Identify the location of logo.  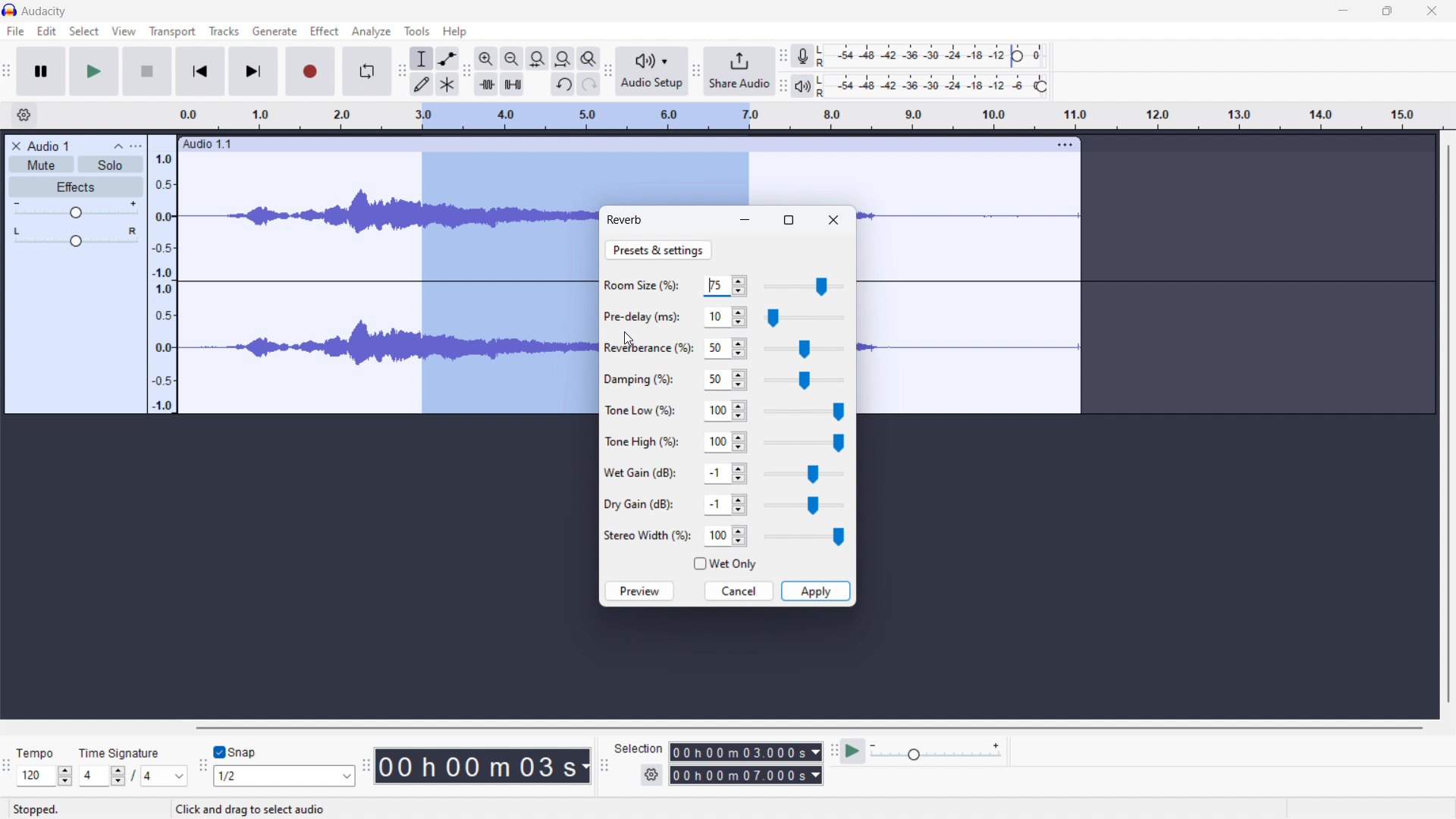
(11, 10).